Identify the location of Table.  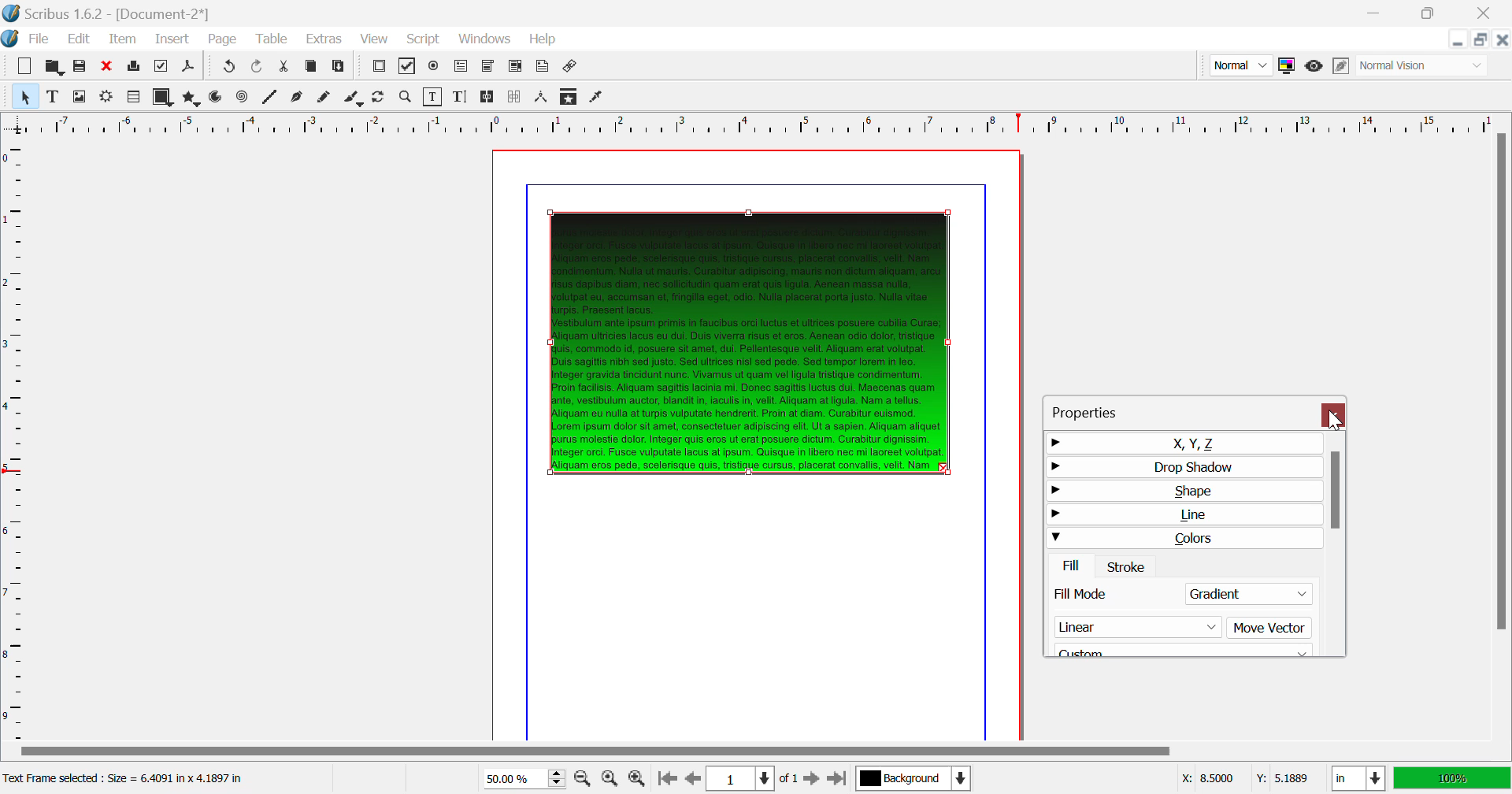
(273, 40).